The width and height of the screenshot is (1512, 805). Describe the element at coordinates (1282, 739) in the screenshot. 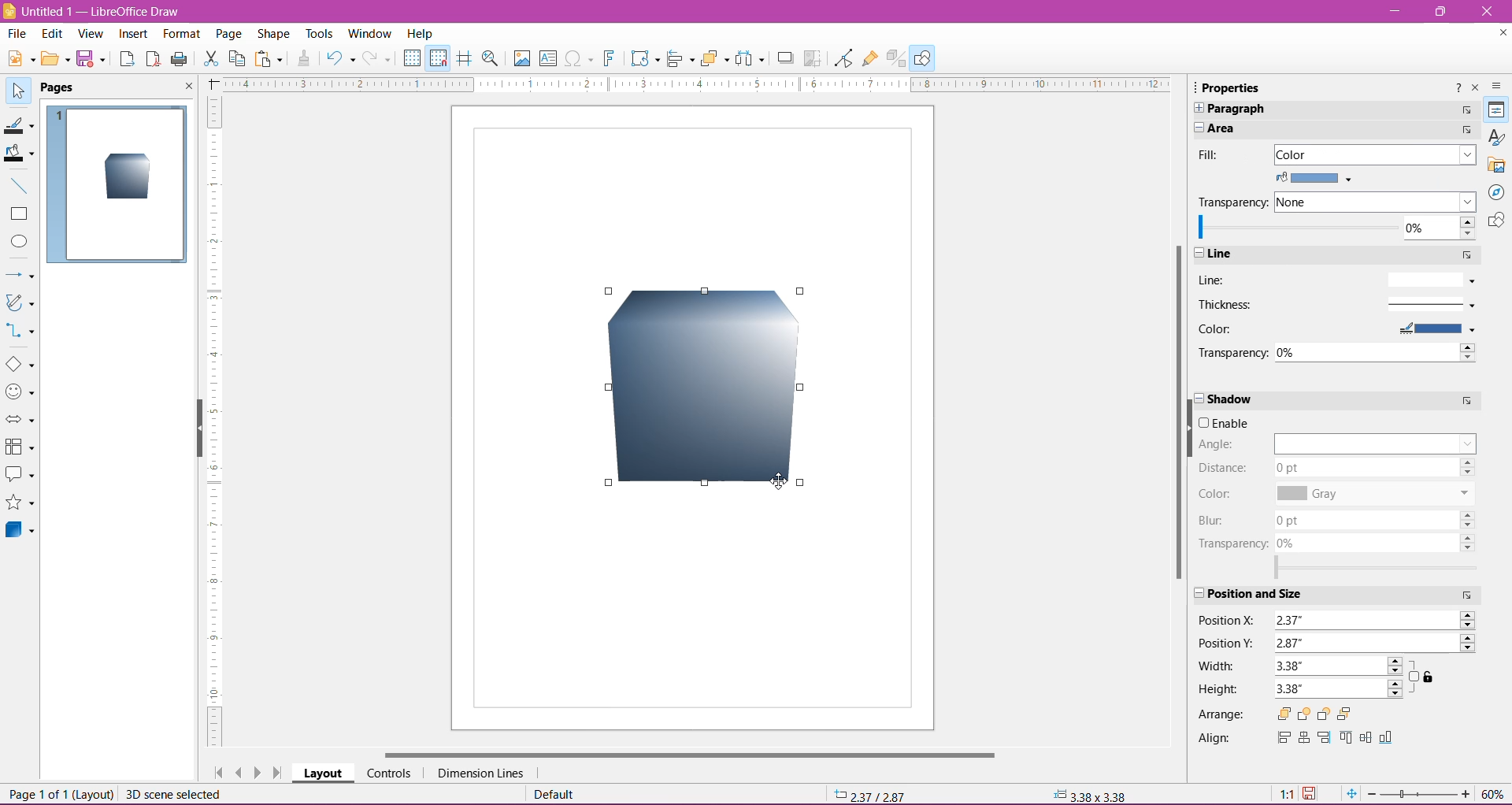

I see `Left` at that location.